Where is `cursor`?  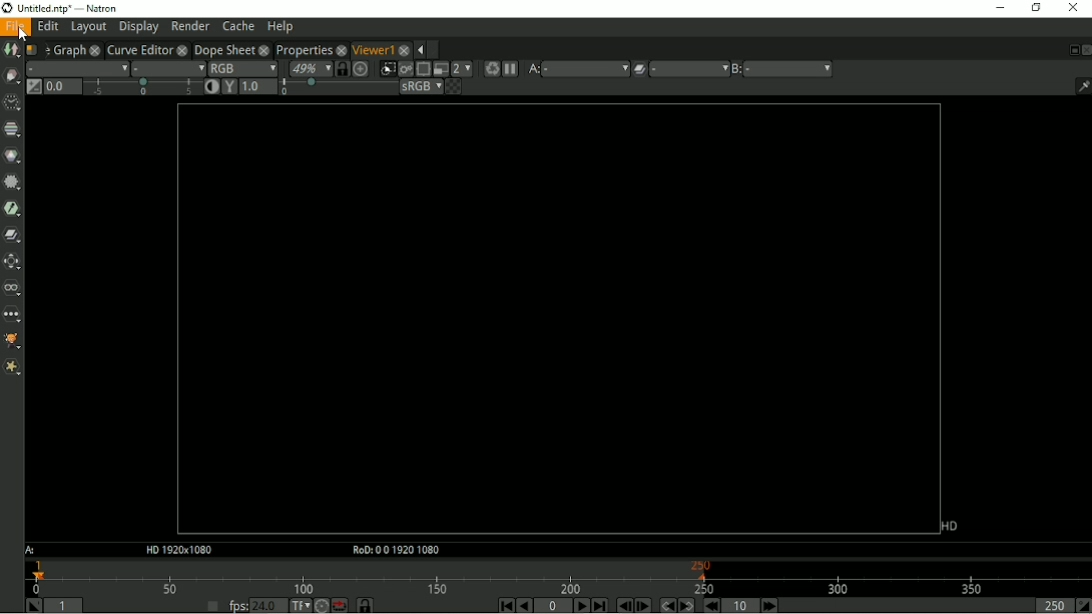
cursor is located at coordinates (24, 34).